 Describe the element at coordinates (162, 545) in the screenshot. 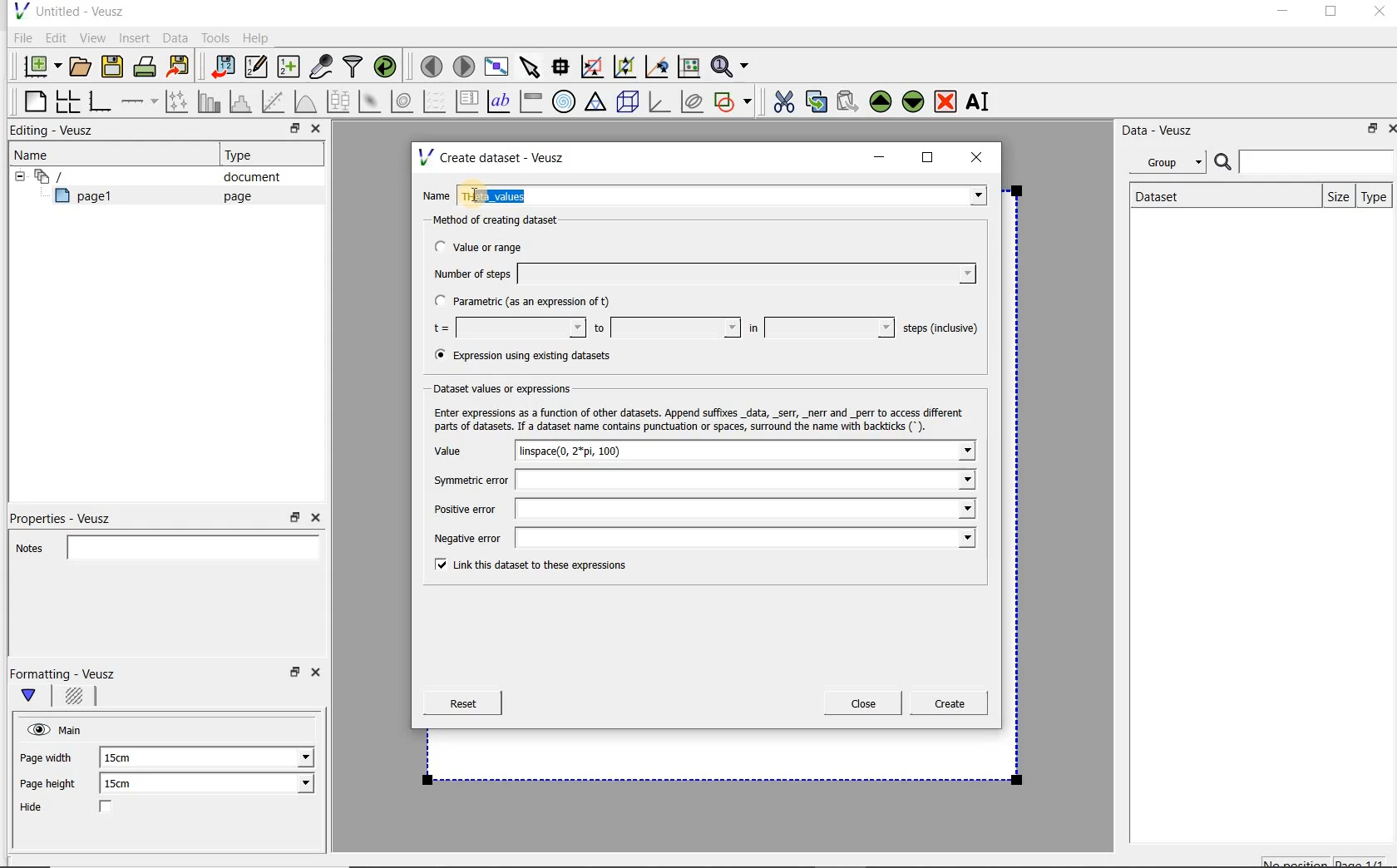

I see `Notes` at that location.